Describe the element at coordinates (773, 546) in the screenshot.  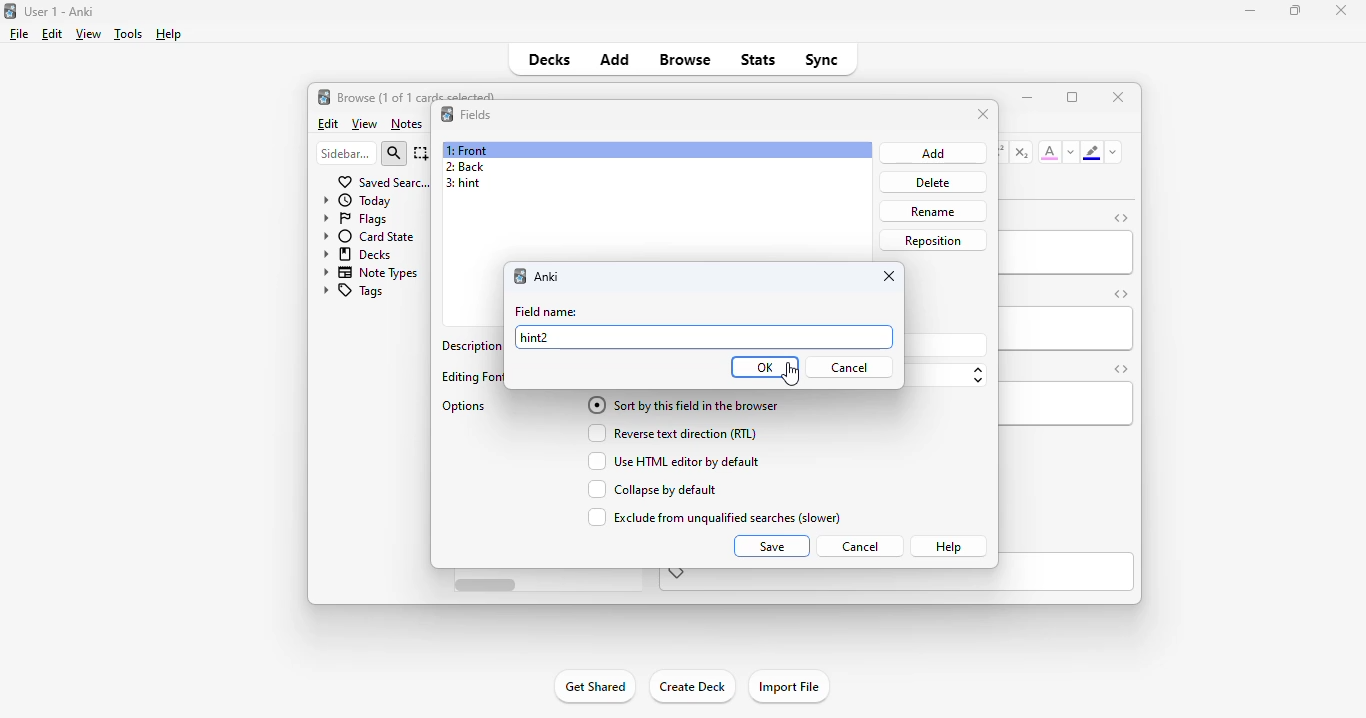
I see `save` at that location.